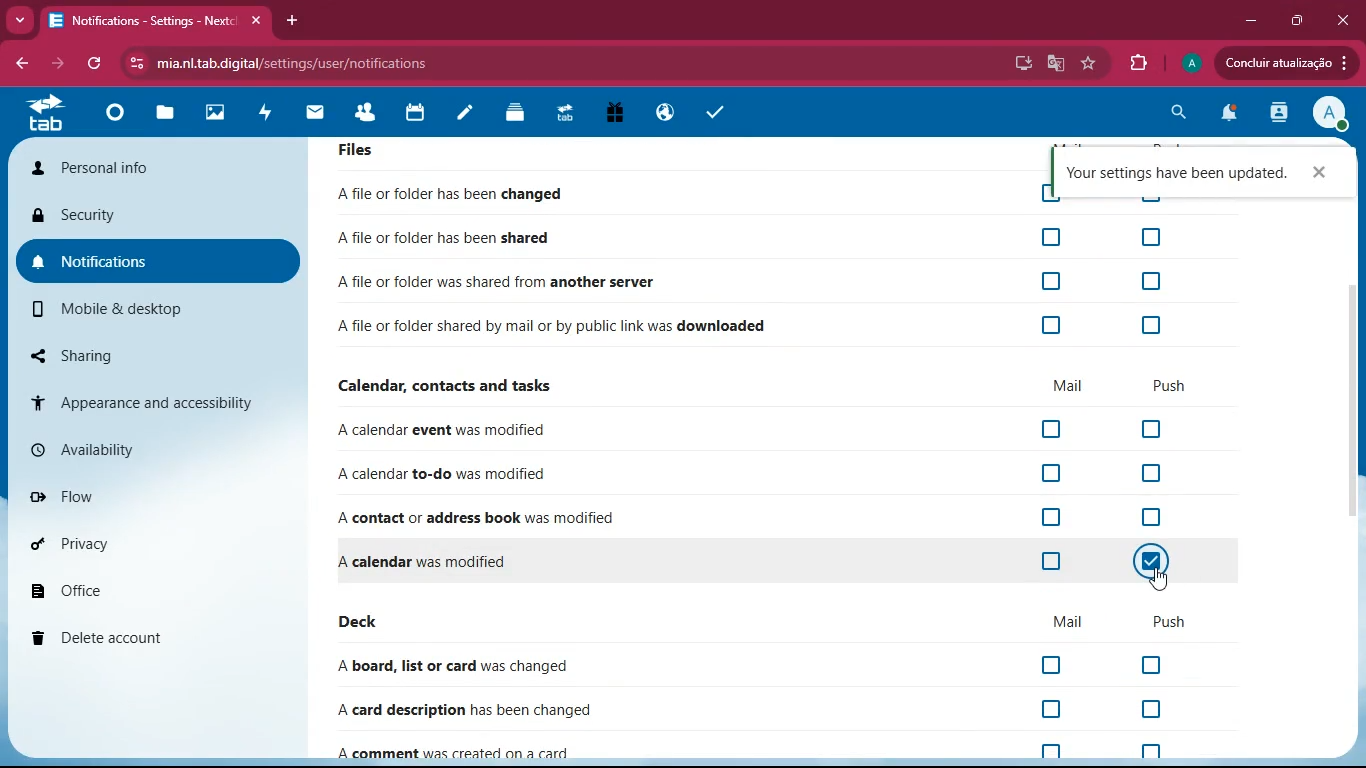 This screenshot has width=1366, height=768. I want to click on off, so click(1048, 748).